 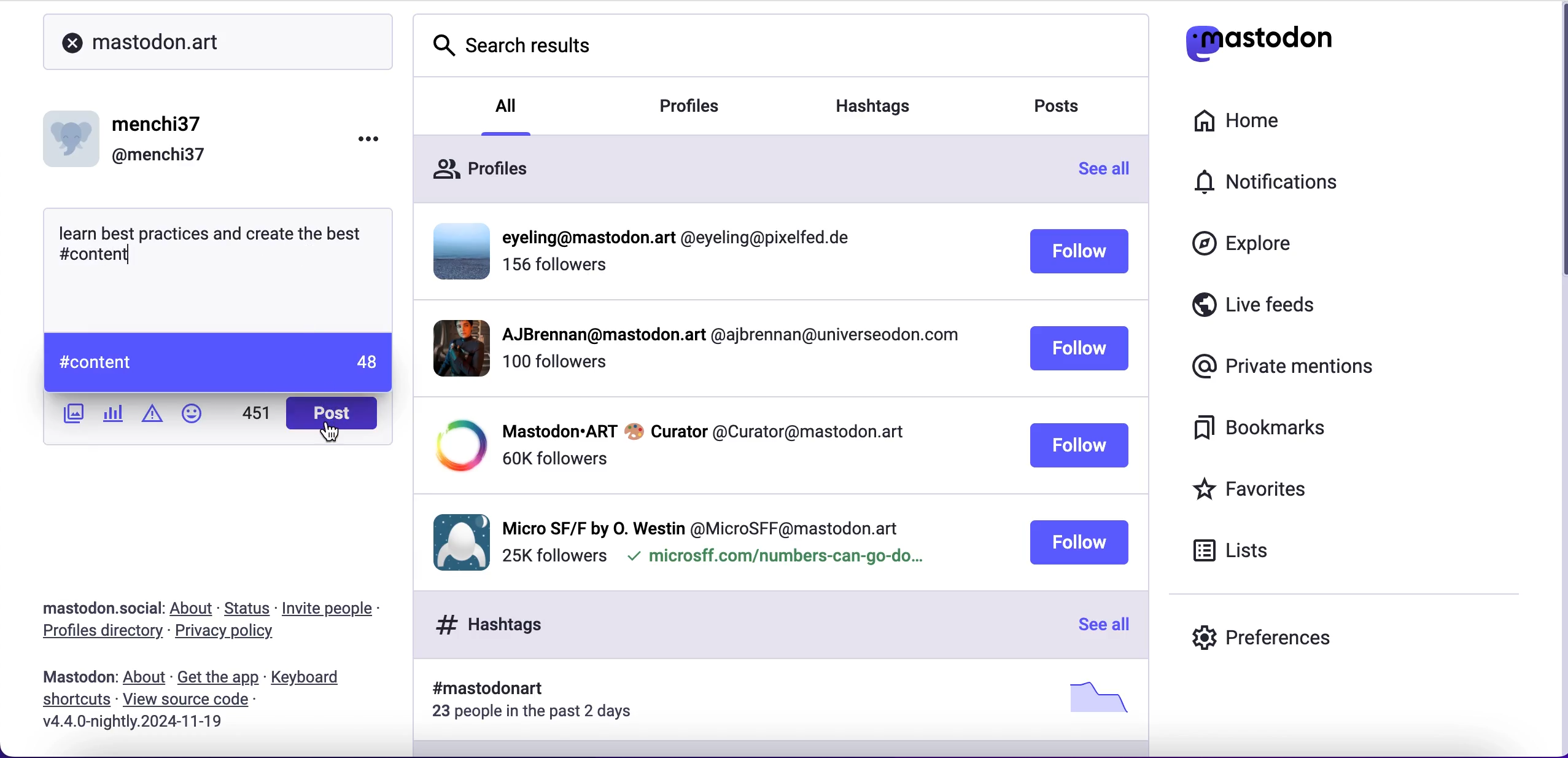 What do you see at coordinates (159, 125) in the screenshot?
I see `menchi37` at bounding box center [159, 125].